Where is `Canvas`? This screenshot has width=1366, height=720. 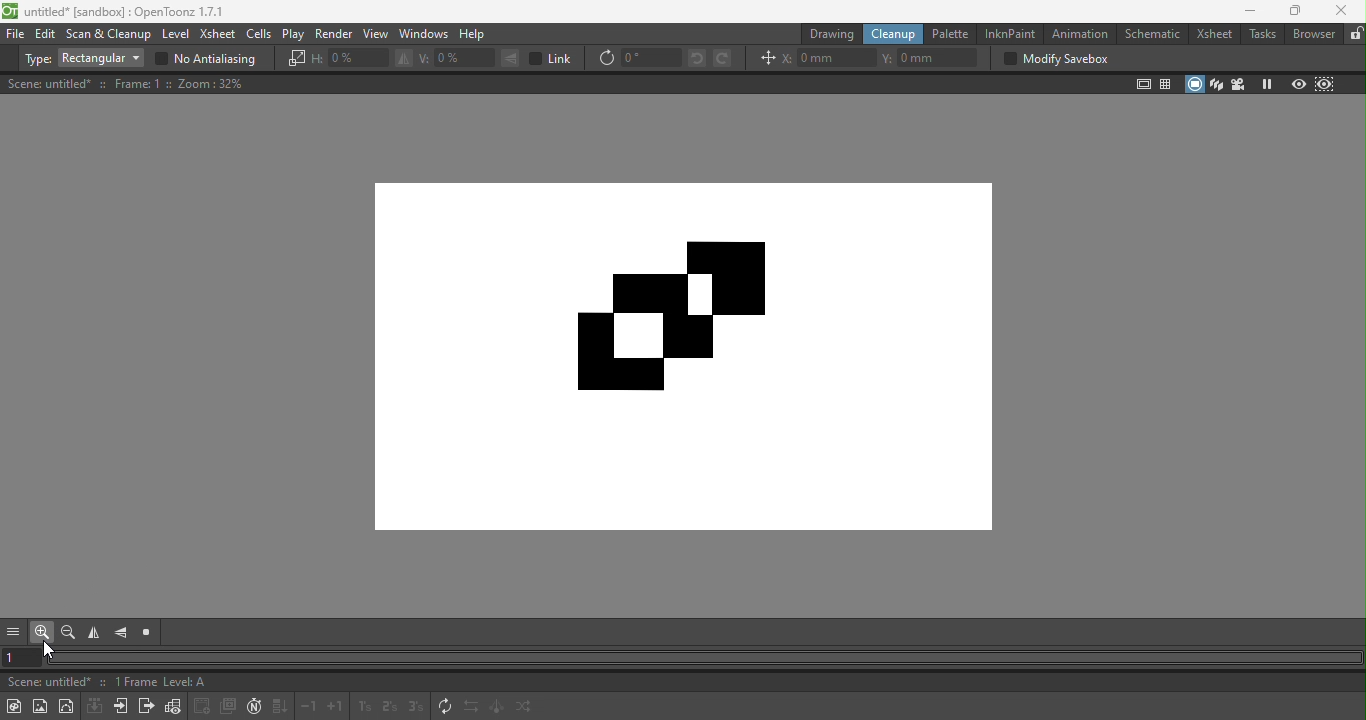 Canvas is located at coordinates (688, 344).